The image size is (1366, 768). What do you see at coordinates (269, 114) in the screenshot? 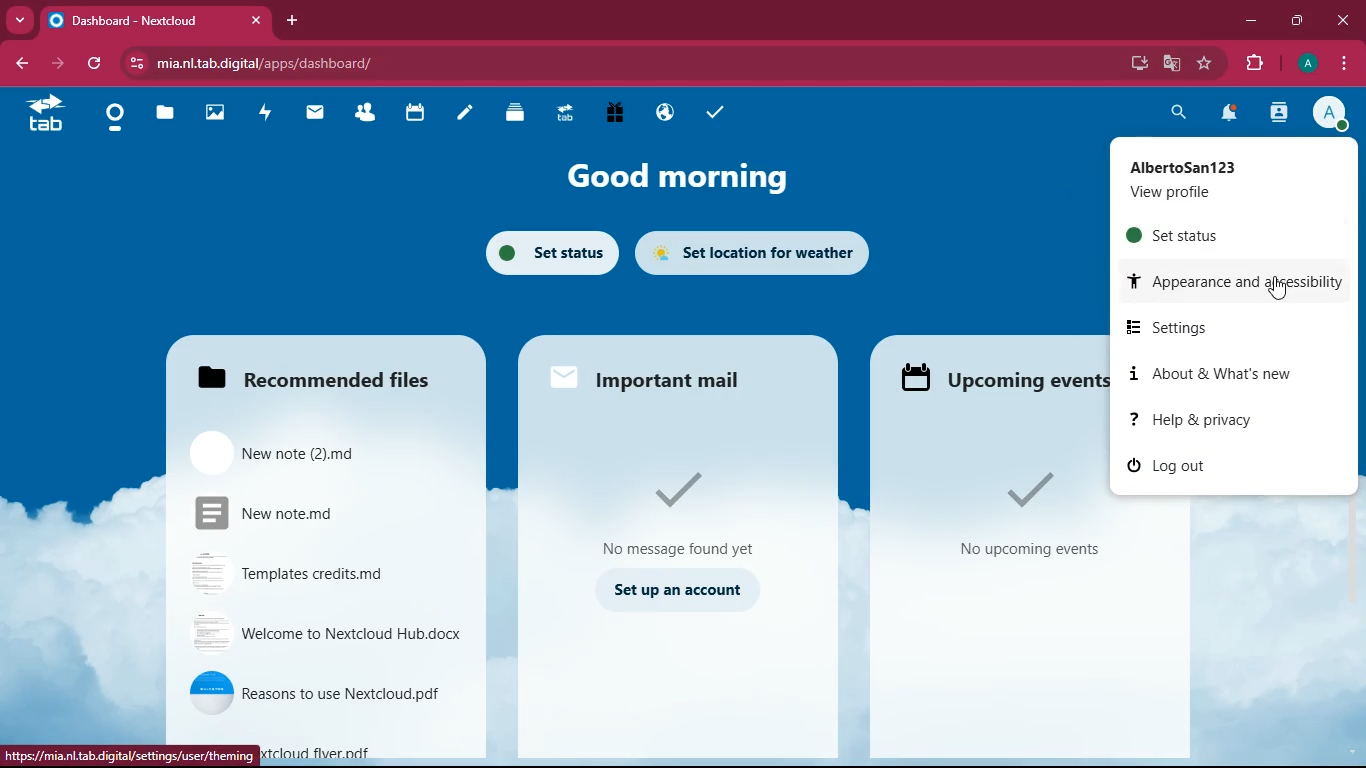
I see `activity` at bounding box center [269, 114].